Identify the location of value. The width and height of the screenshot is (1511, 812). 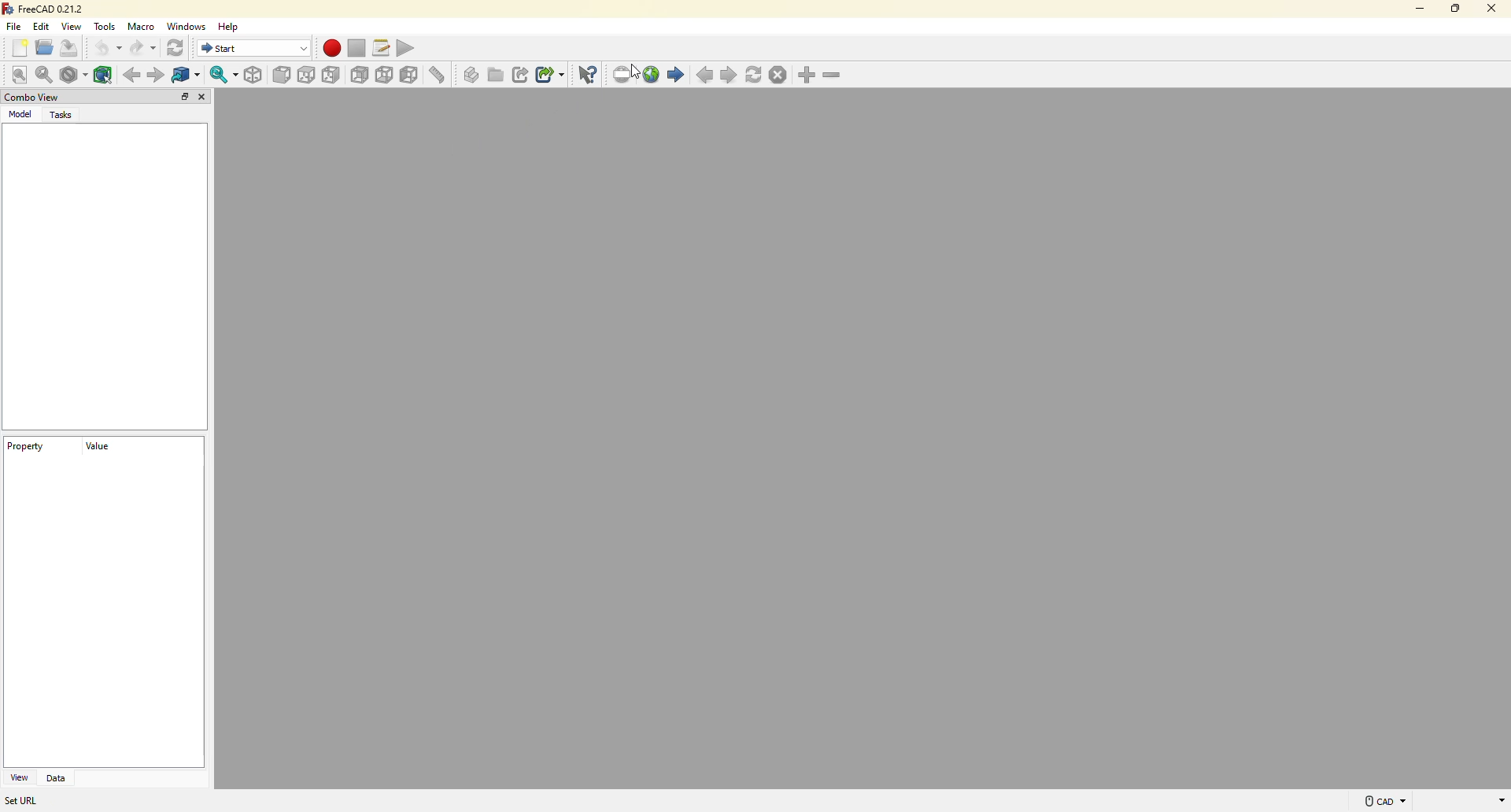
(95, 452).